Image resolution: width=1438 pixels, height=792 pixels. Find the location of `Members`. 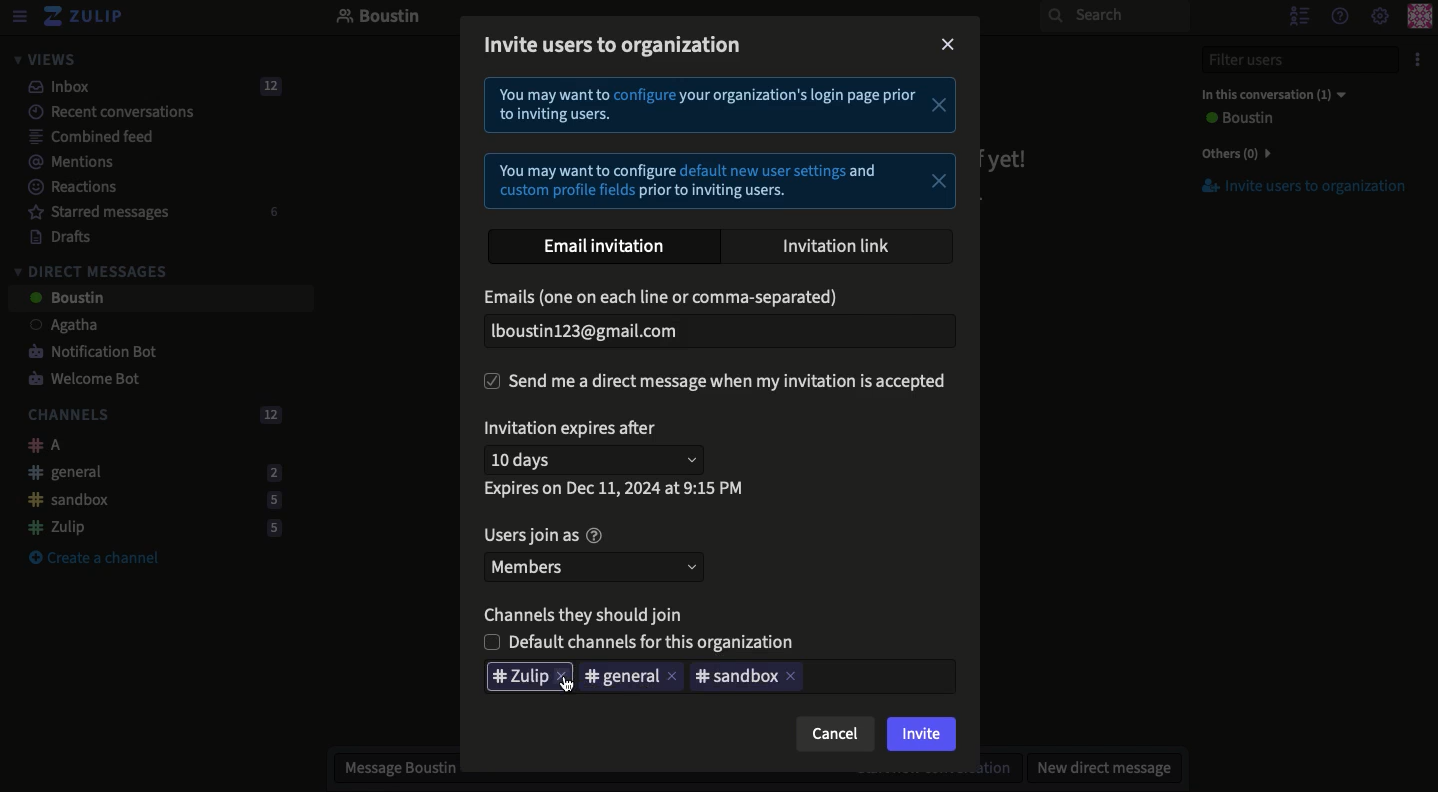

Members is located at coordinates (598, 566).